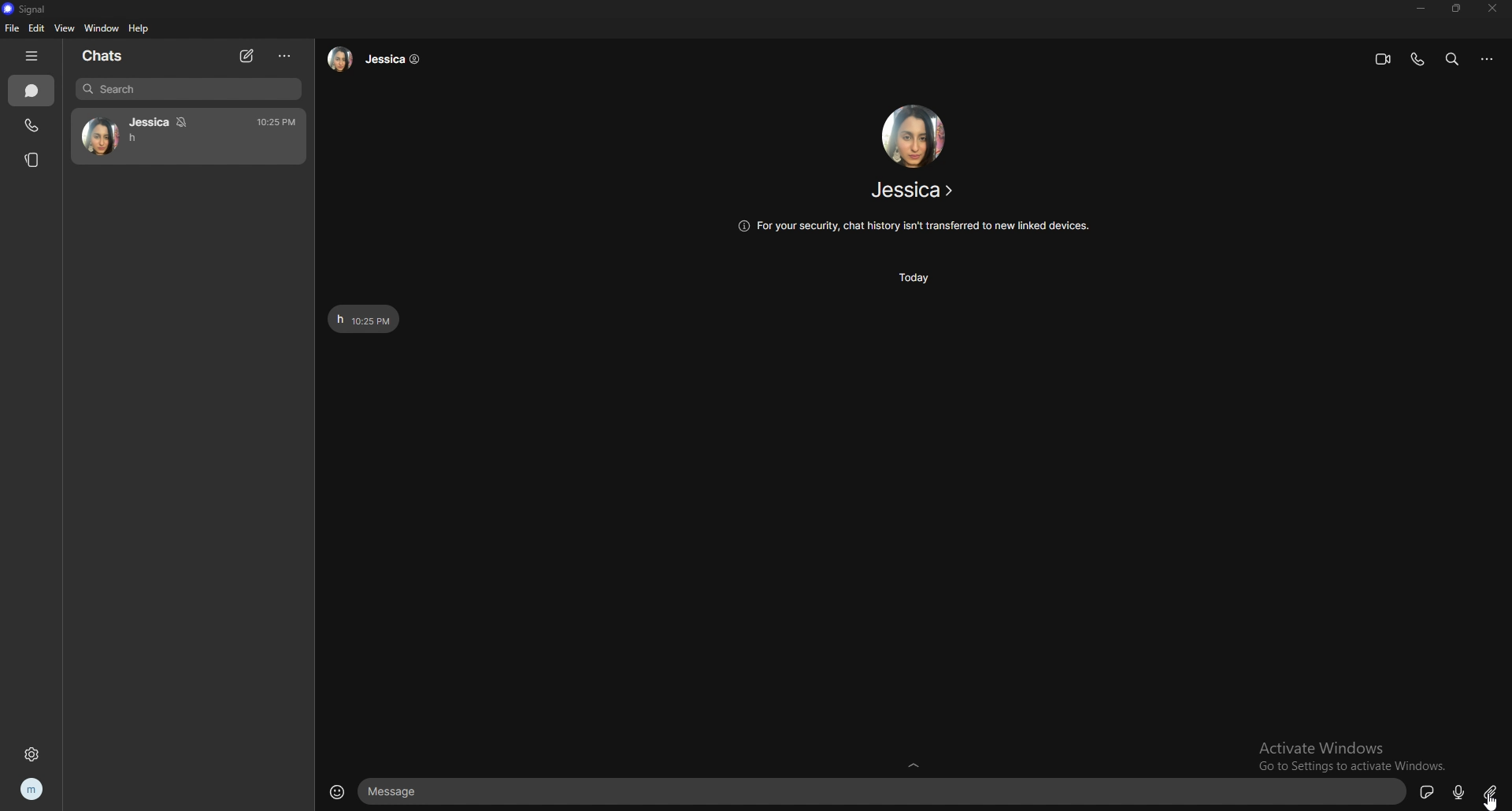 Image resolution: width=1512 pixels, height=811 pixels. I want to click on minimize, so click(1422, 9).